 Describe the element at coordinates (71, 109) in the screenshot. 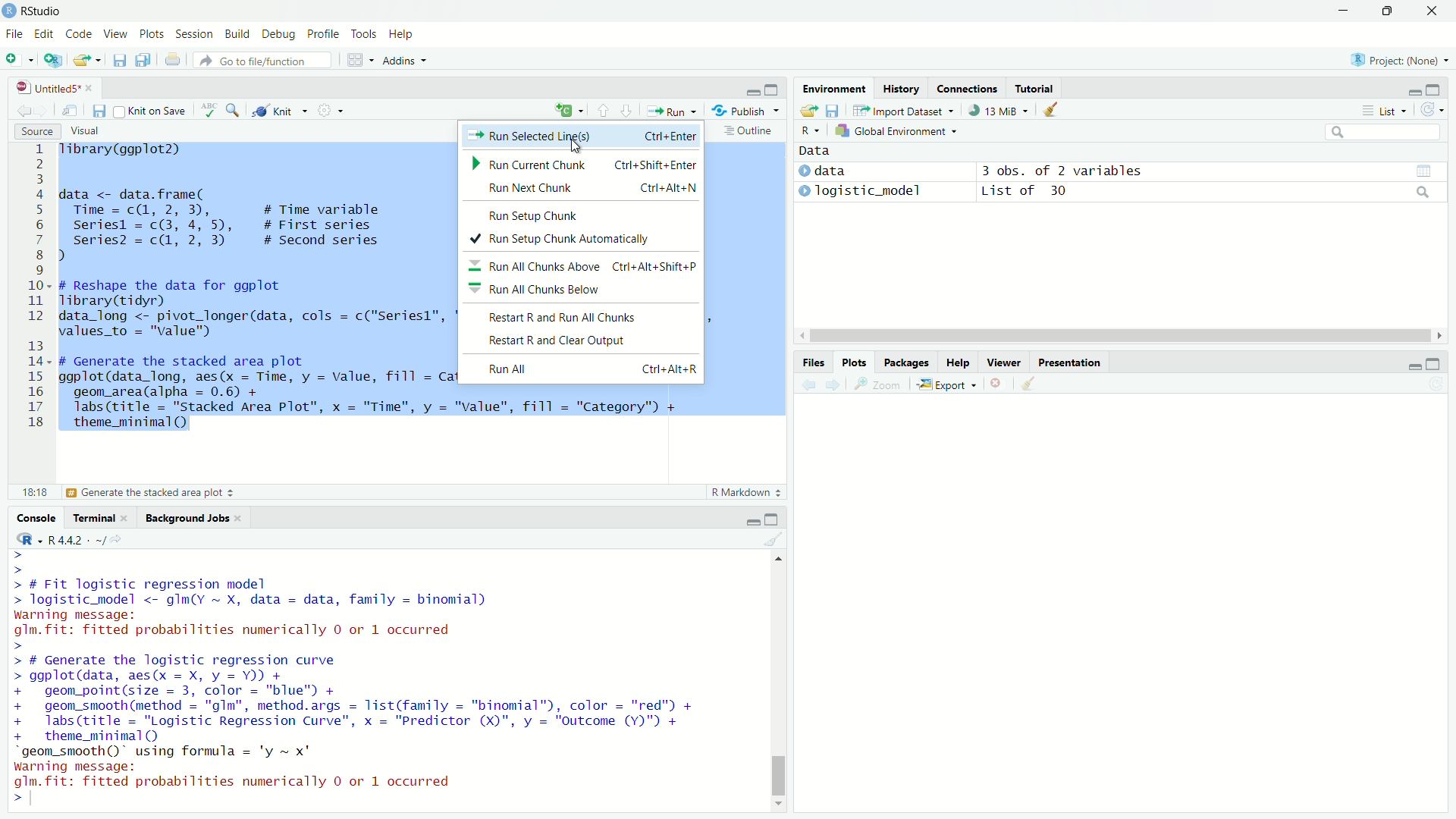

I see `move` at that location.